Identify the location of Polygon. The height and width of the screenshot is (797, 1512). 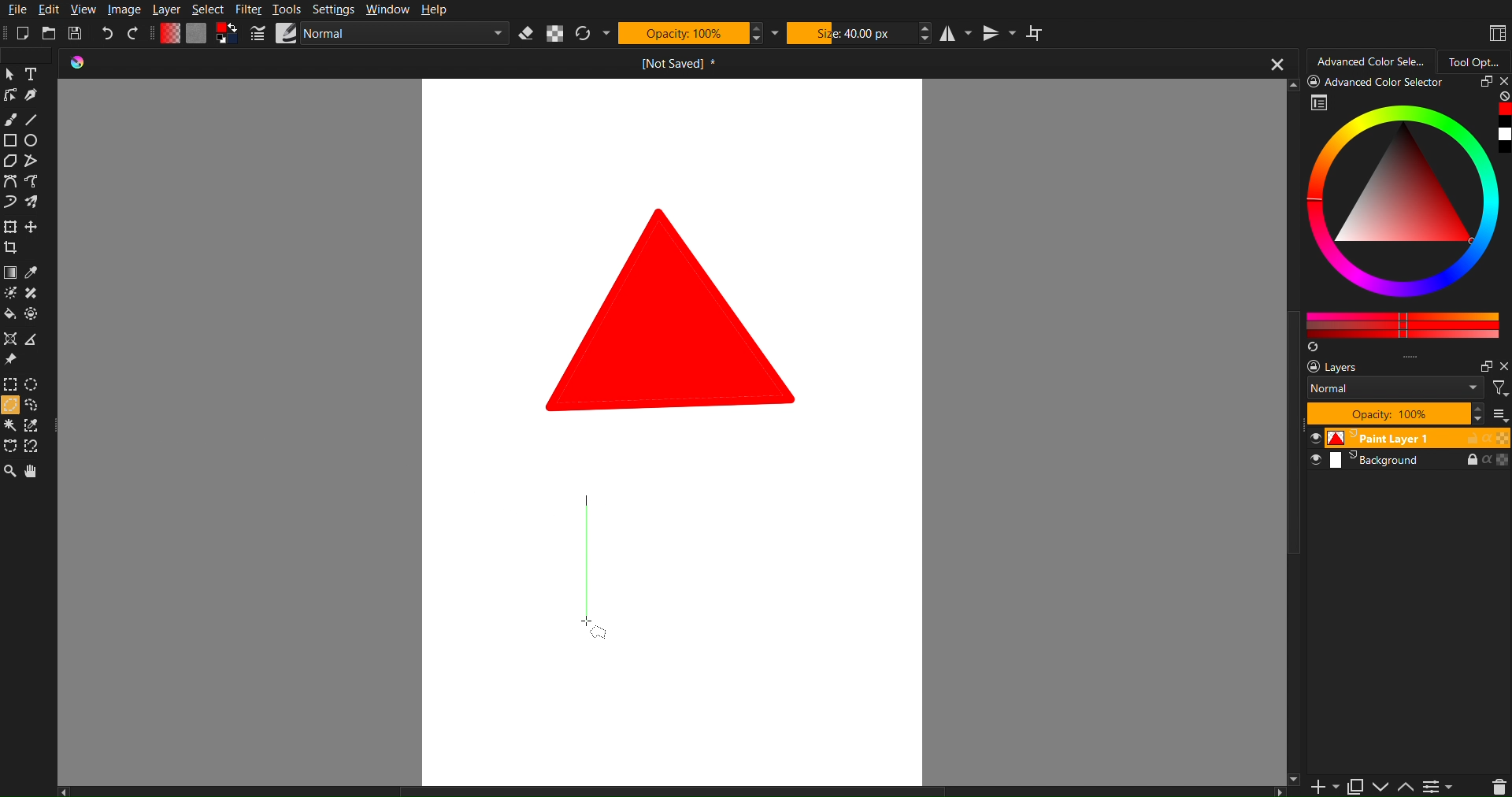
(9, 161).